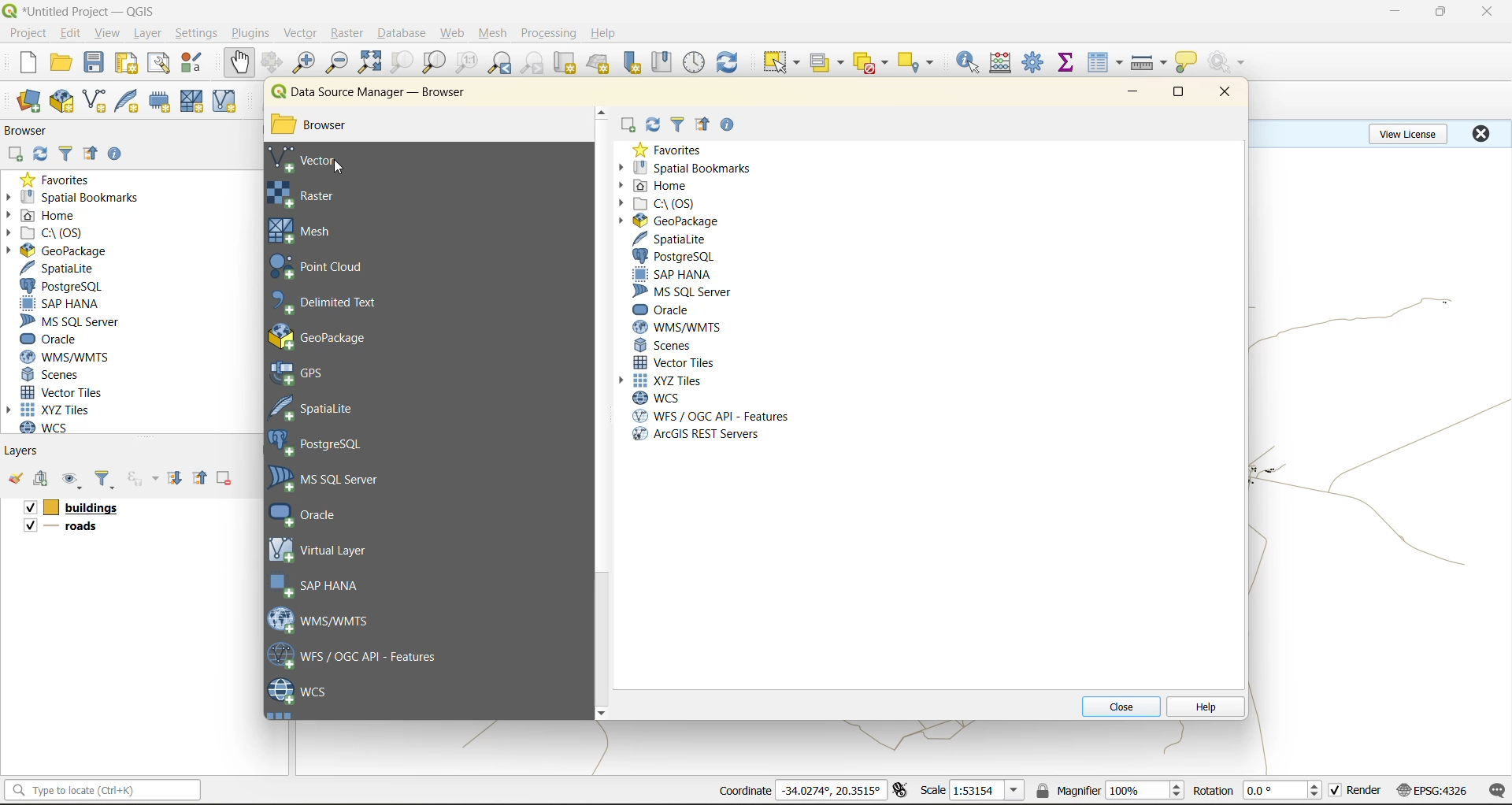 This screenshot has width=1512, height=805. I want to click on save, so click(98, 63).